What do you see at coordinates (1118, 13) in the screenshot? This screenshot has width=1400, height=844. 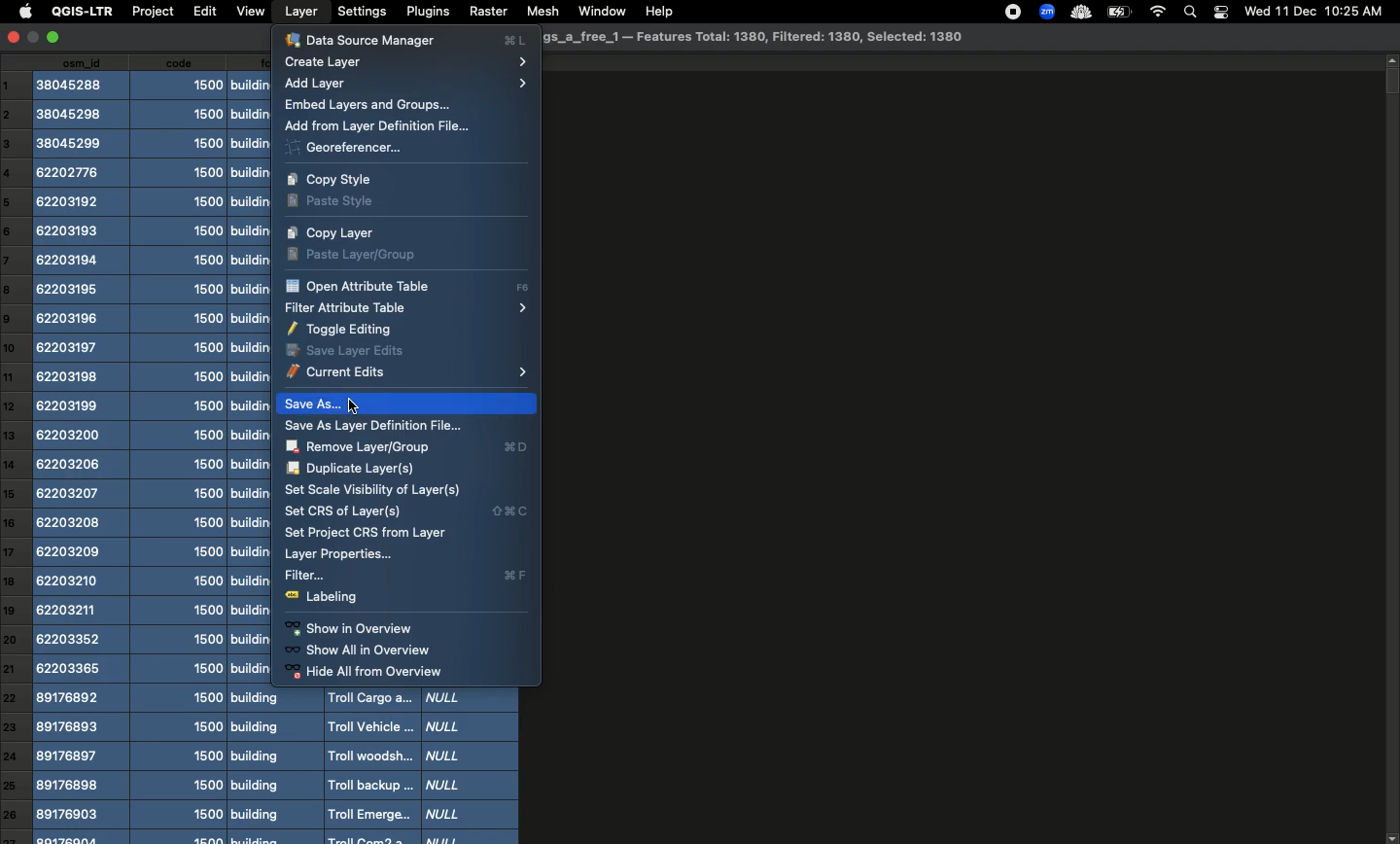 I see `Charge` at bounding box center [1118, 13].